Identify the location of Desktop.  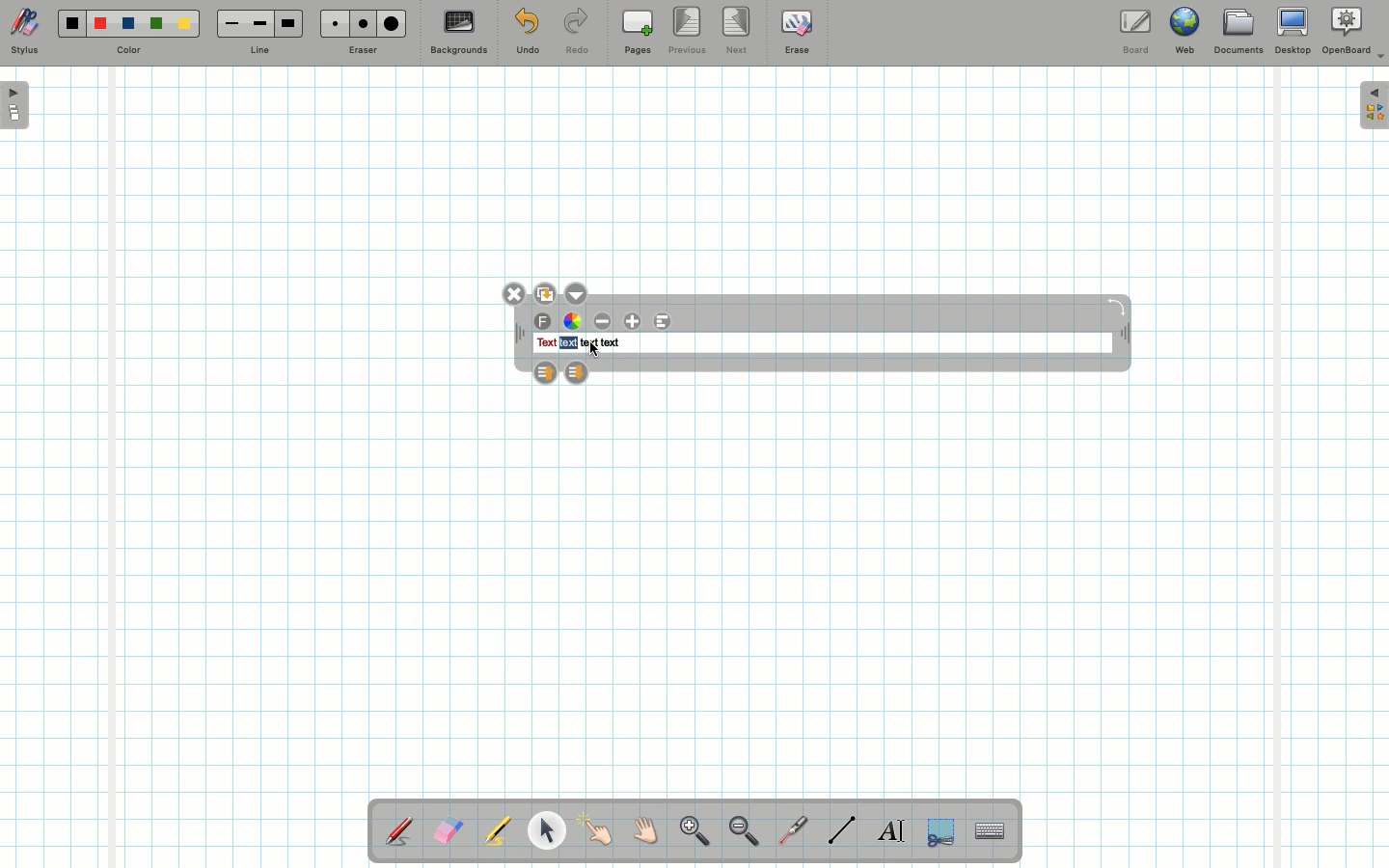
(1295, 31).